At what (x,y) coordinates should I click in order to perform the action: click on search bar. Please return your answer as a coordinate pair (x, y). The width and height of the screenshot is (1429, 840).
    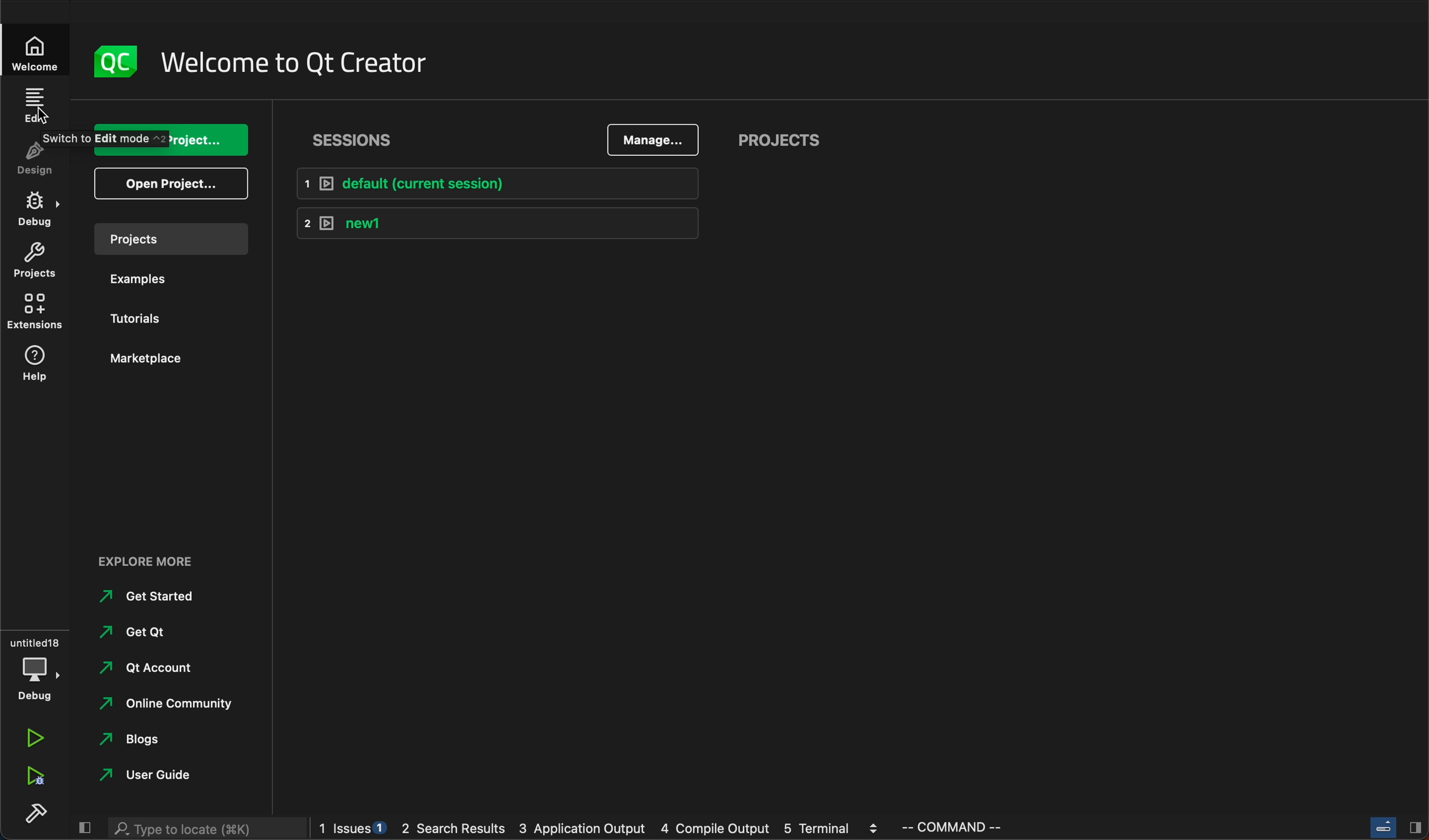
    Looking at the image, I should click on (205, 829).